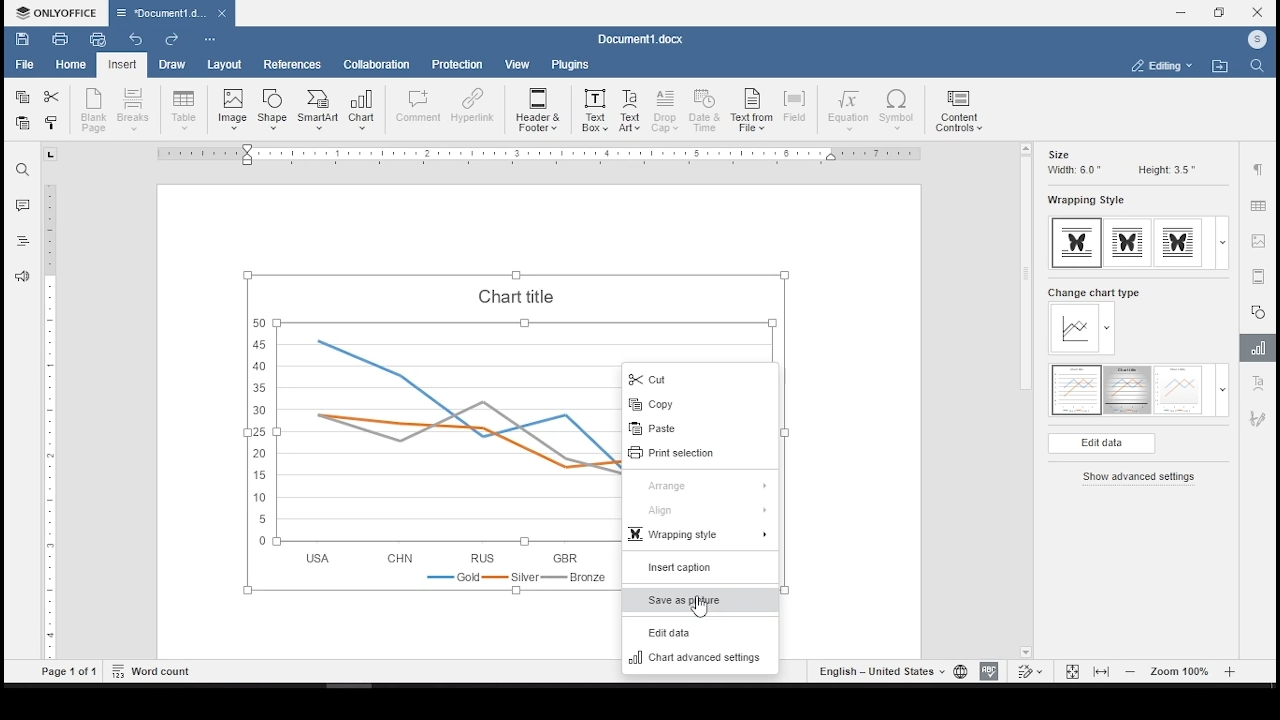  Describe the element at coordinates (700, 404) in the screenshot. I see `copy` at that location.